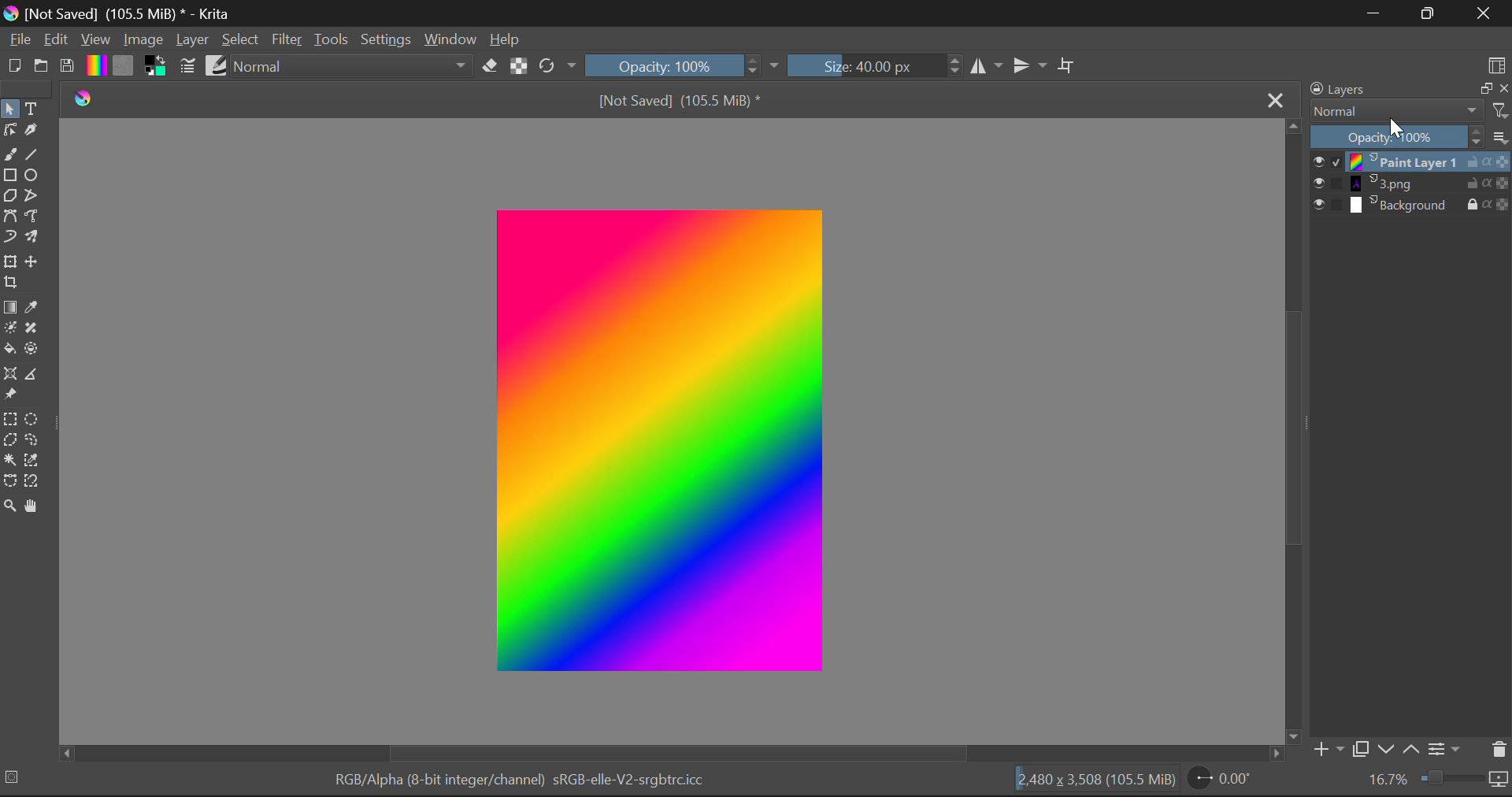  I want to click on Zoom slider, so click(1463, 778).